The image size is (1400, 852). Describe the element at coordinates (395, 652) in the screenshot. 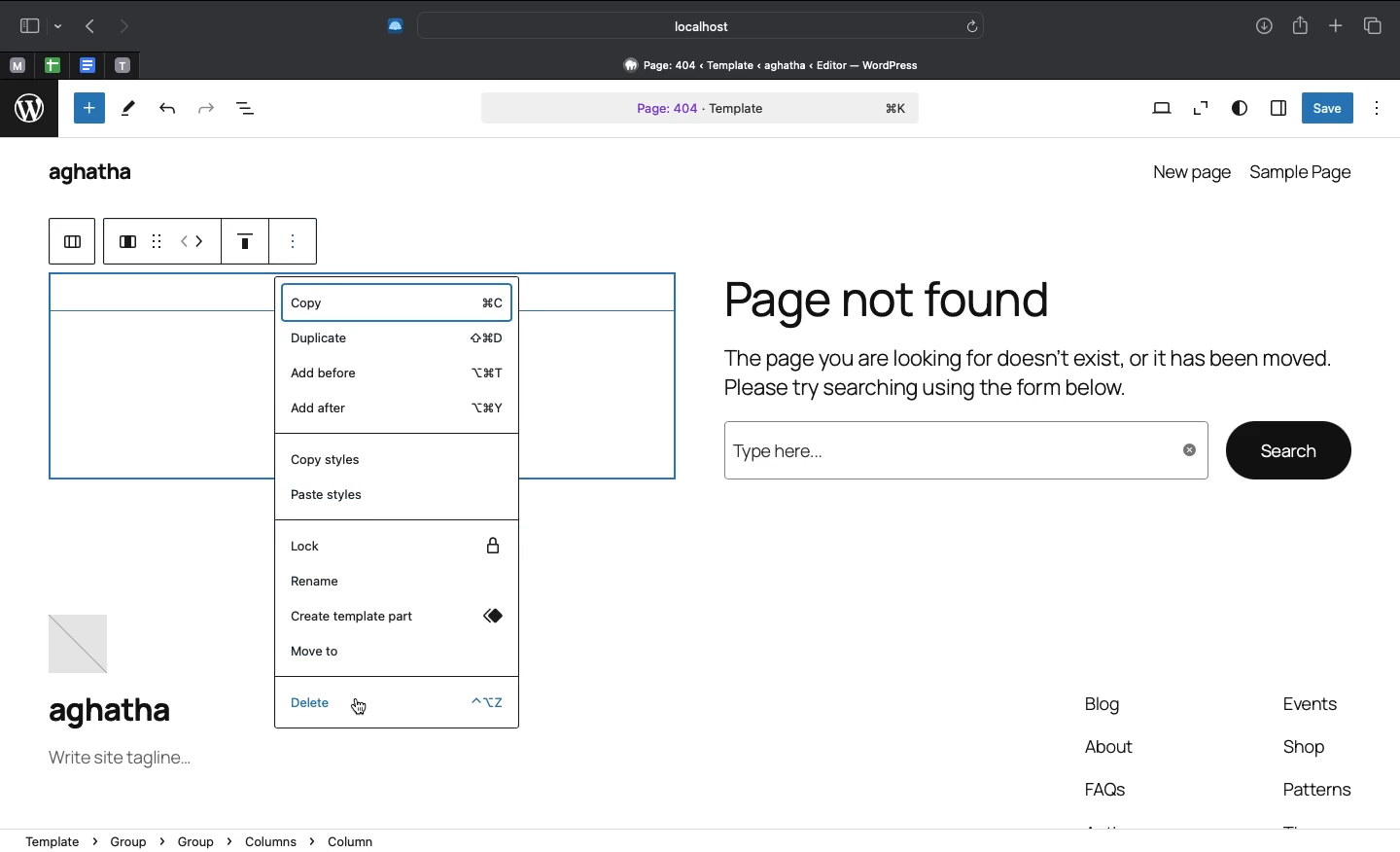

I see `move to` at that location.